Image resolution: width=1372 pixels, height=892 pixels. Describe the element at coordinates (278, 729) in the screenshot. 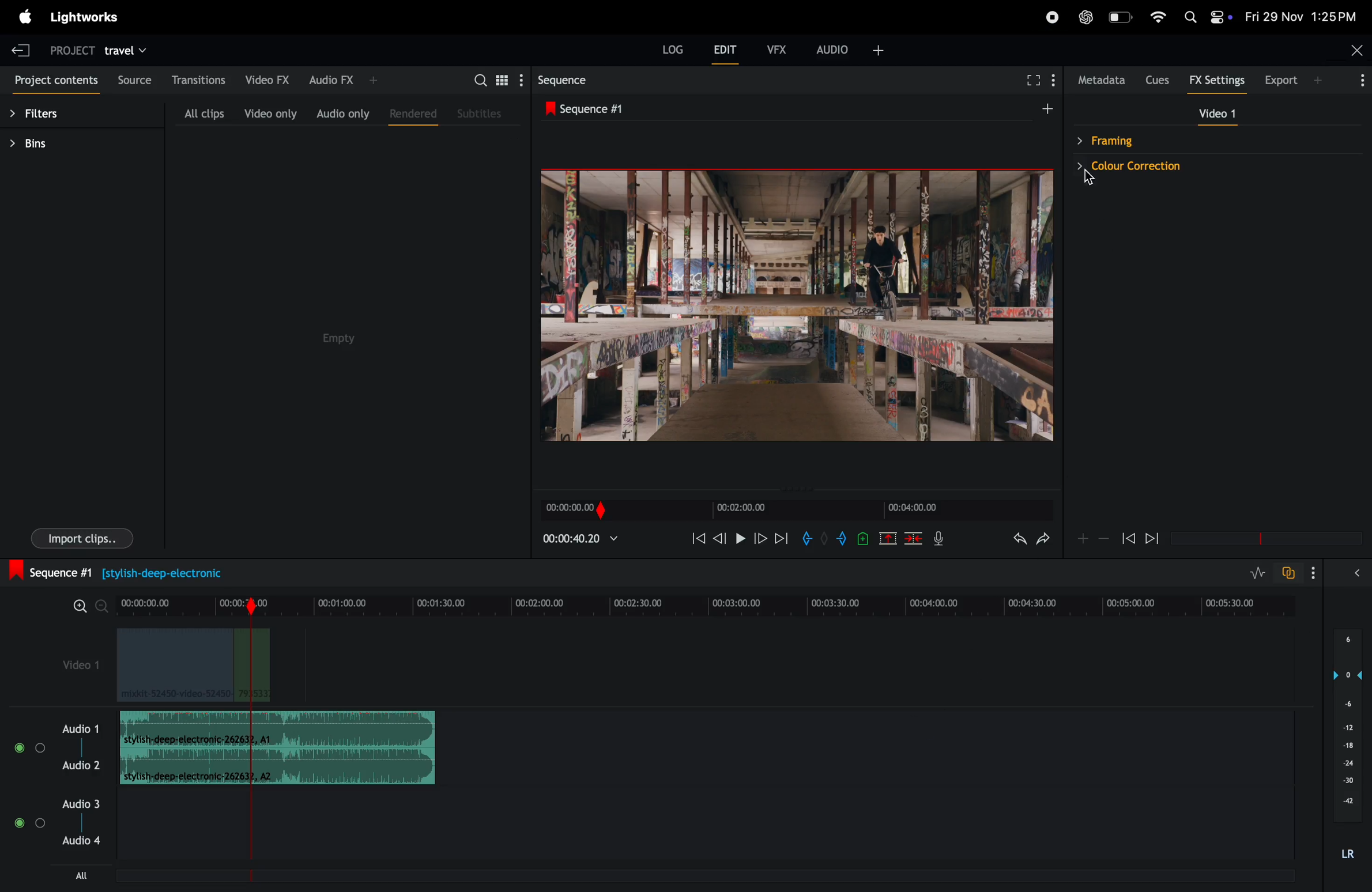

I see `audio clip` at that location.